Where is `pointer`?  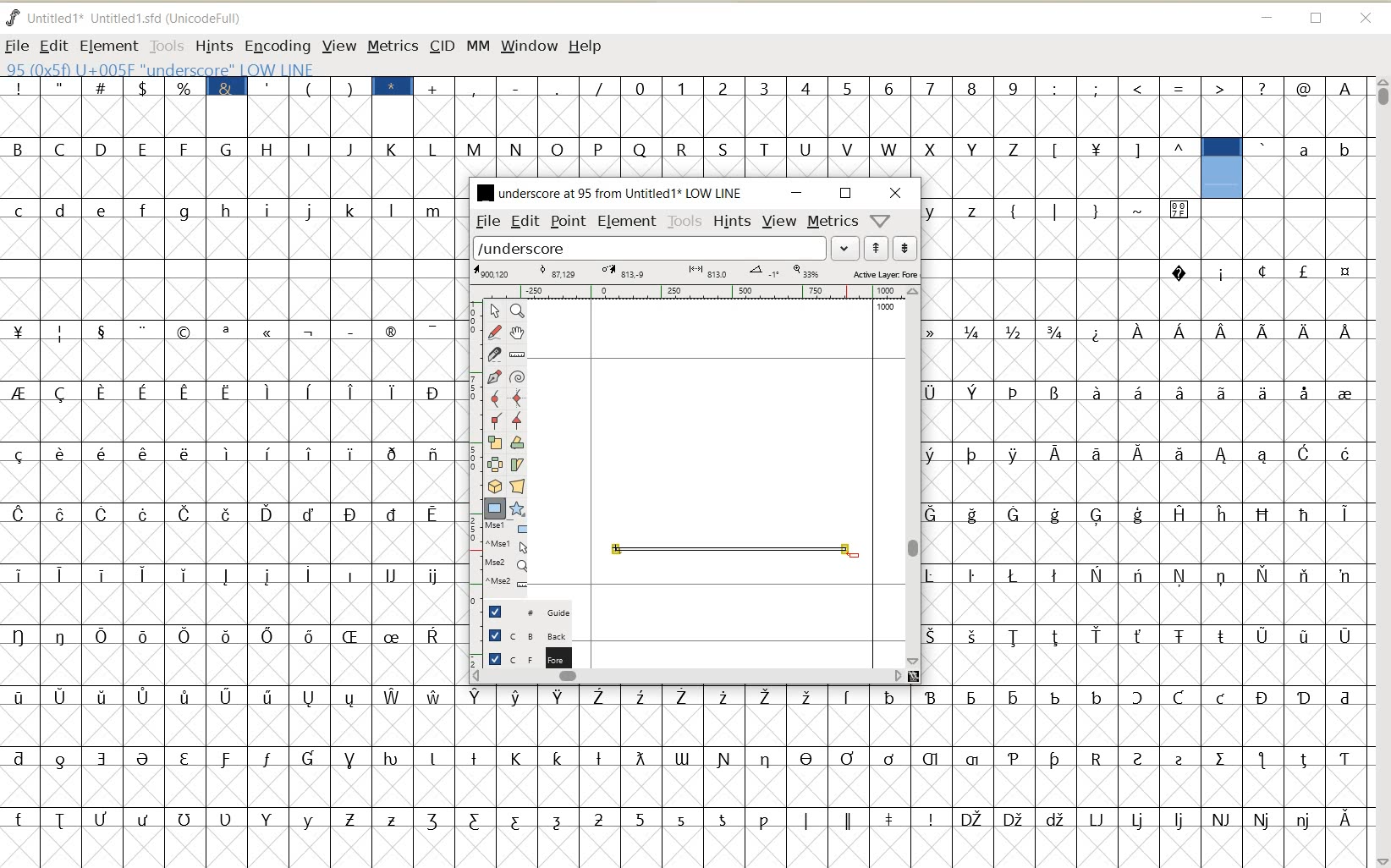 pointer is located at coordinates (493, 311).